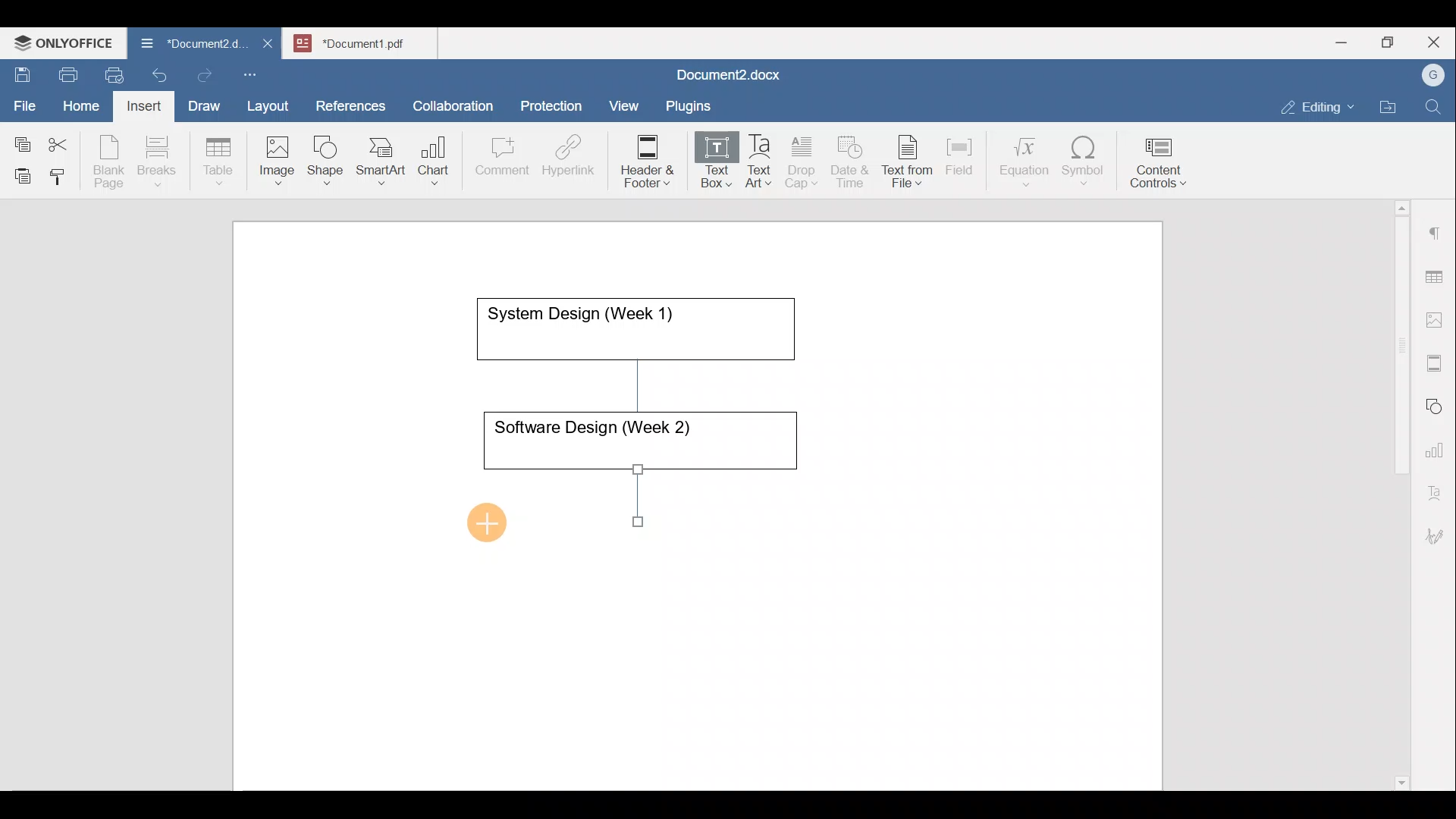 This screenshot has width=1456, height=819. Describe the element at coordinates (1437, 359) in the screenshot. I see `Headers & footers` at that location.